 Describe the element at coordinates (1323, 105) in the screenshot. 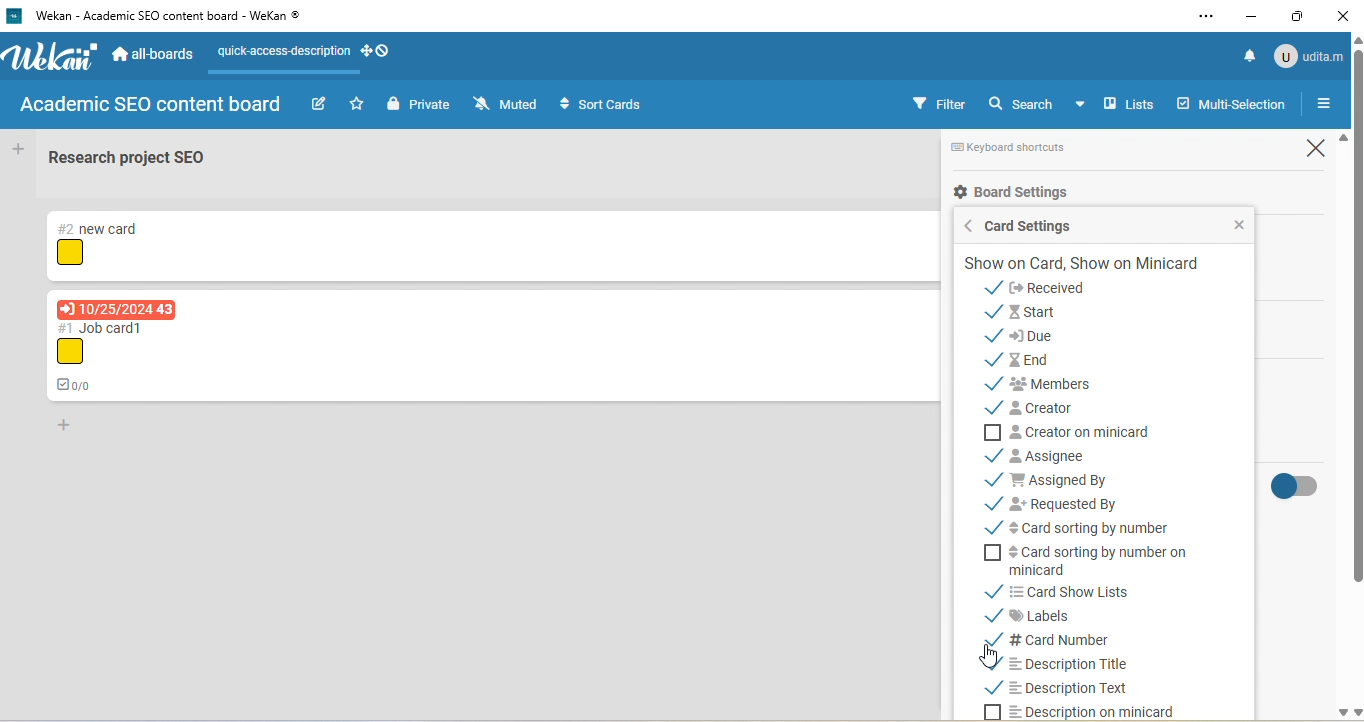

I see `open or close sidebar` at that location.